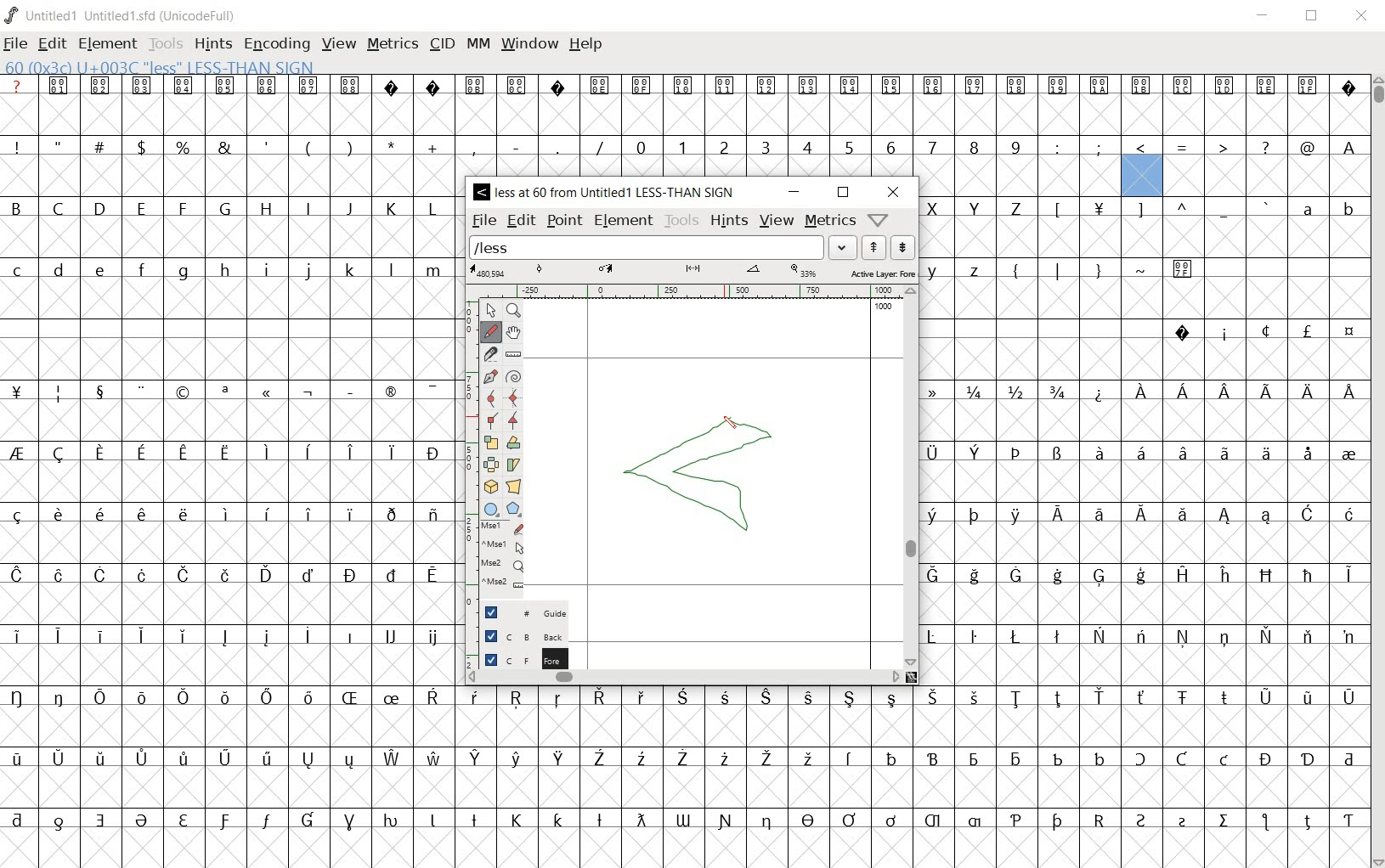 Image resolution: width=1385 pixels, height=868 pixels. I want to click on empty cells, so click(1142, 359).